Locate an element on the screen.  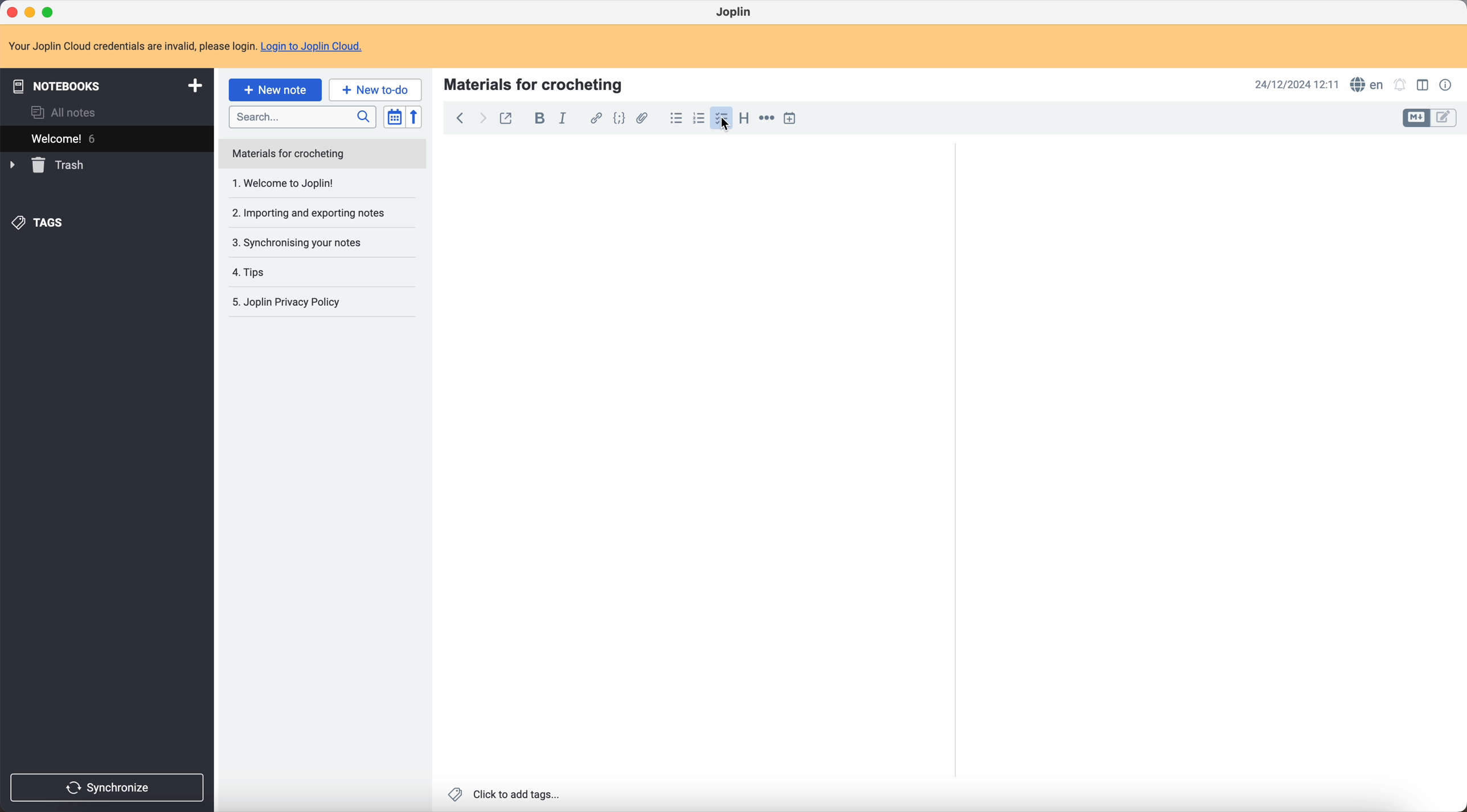
heading is located at coordinates (743, 118).